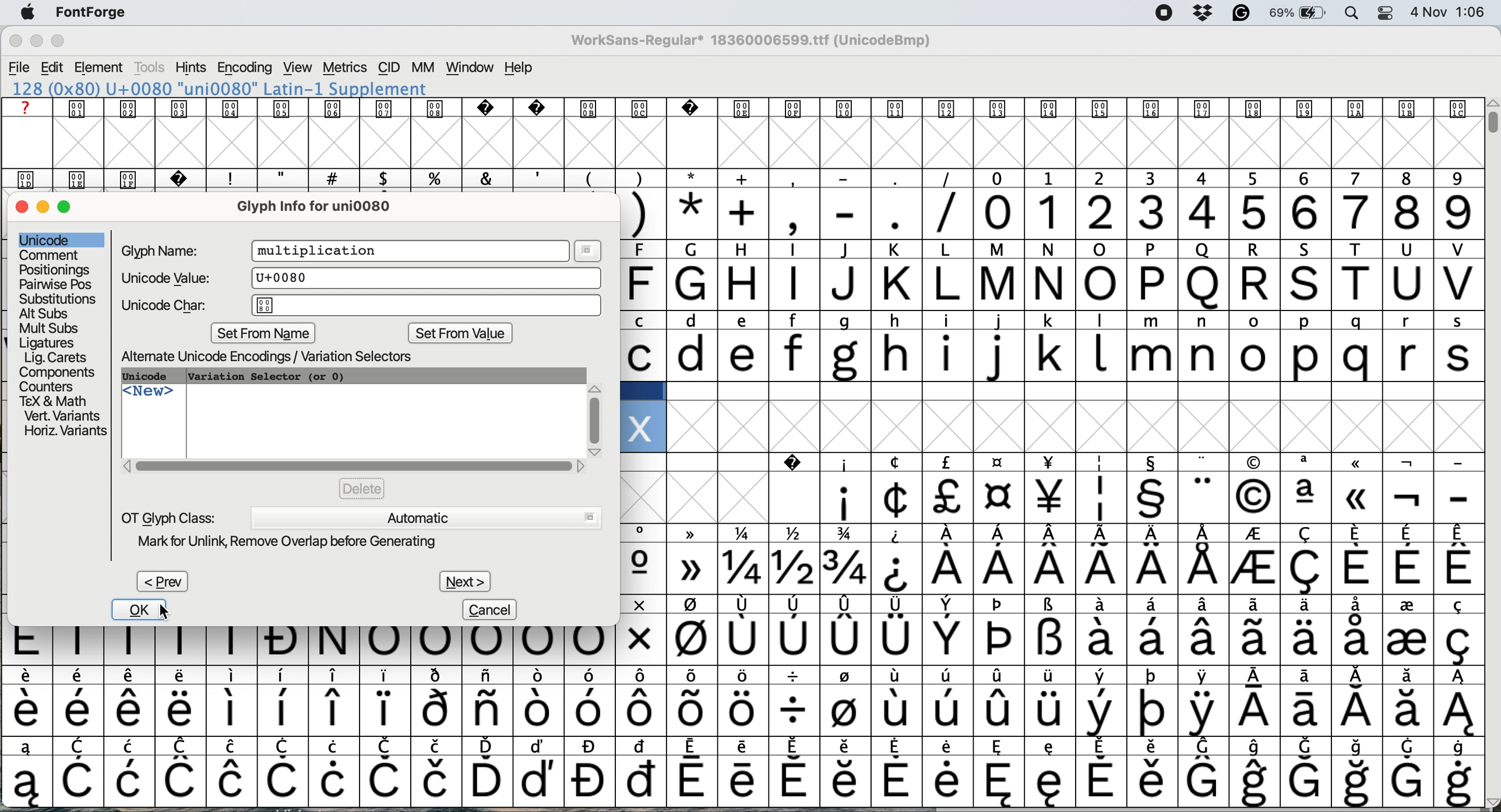  What do you see at coordinates (71, 211) in the screenshot?
I see `maximise` at bounding box center [71, 211].